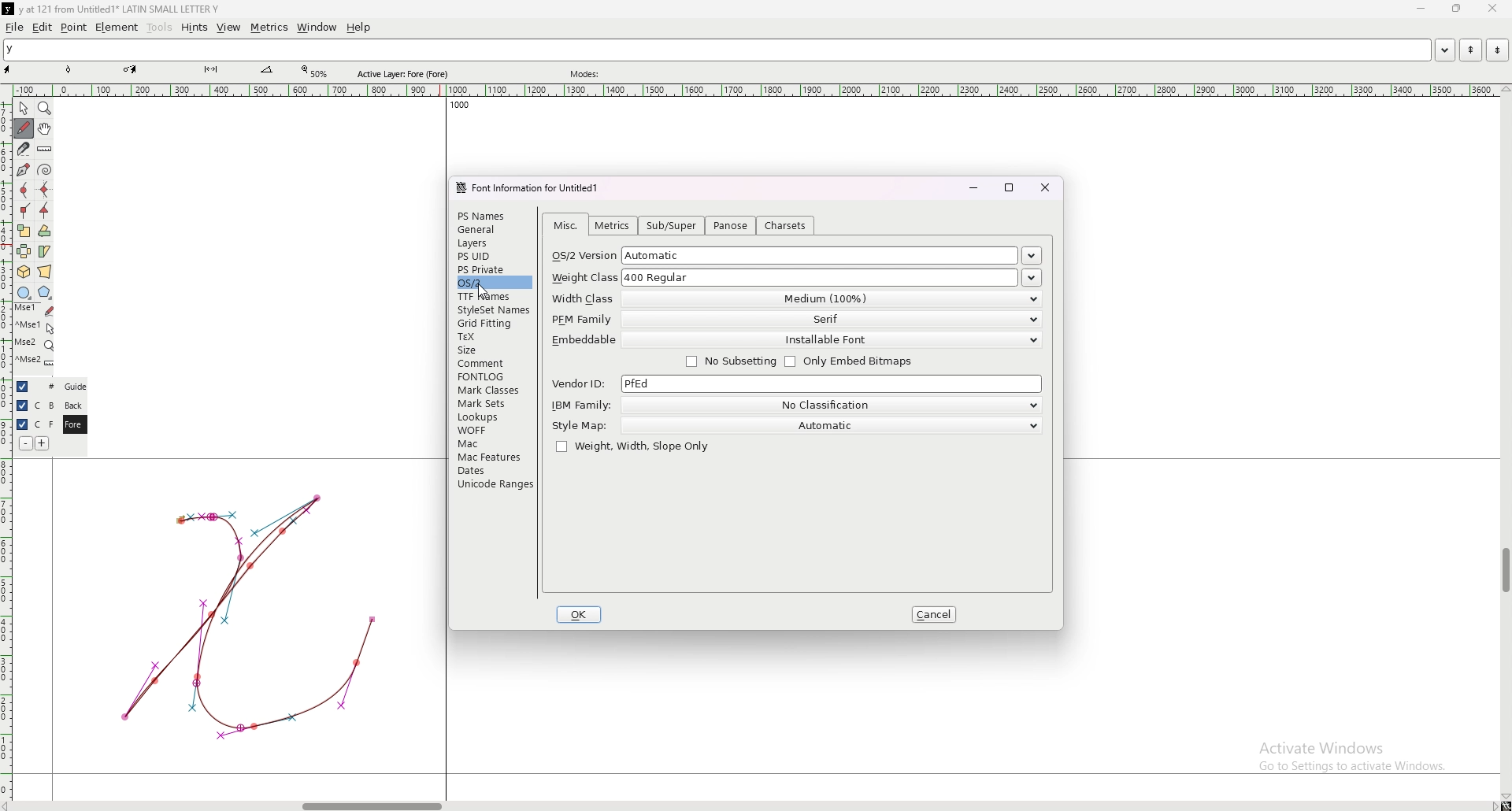  What do you see at coordinates (566, 226) in the screenshot?
I see `misc` at bounding box center [566, 226].